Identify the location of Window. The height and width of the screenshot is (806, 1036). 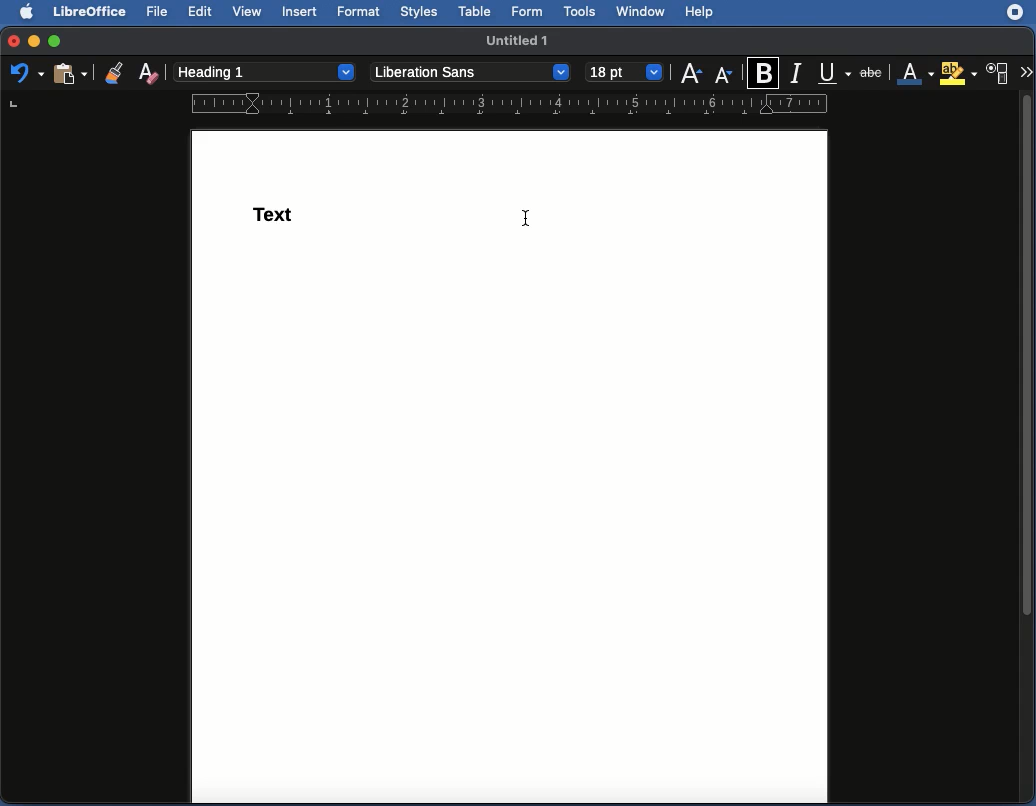
(639, 13).